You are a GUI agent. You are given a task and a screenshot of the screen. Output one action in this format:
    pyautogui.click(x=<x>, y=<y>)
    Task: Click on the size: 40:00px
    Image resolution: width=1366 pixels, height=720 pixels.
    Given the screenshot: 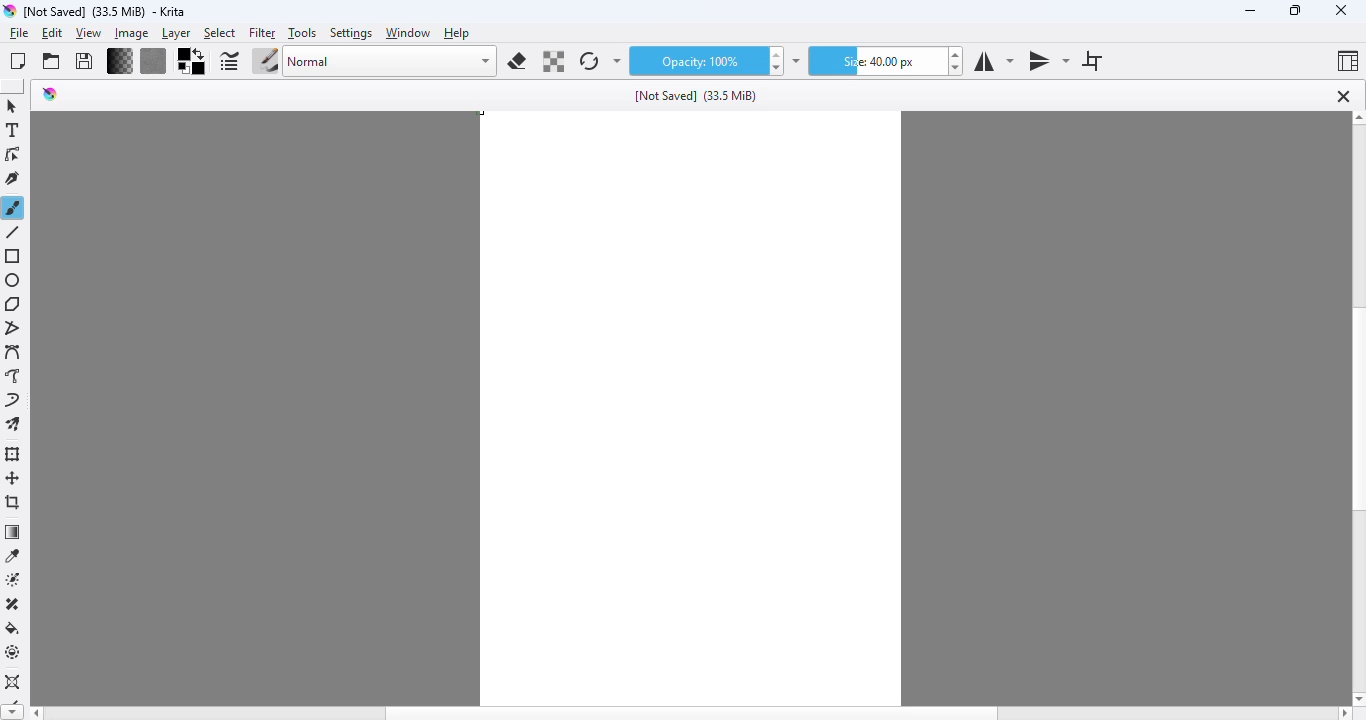 What is the action you would take?
    pyautogui.click(x=878, y=61)
    